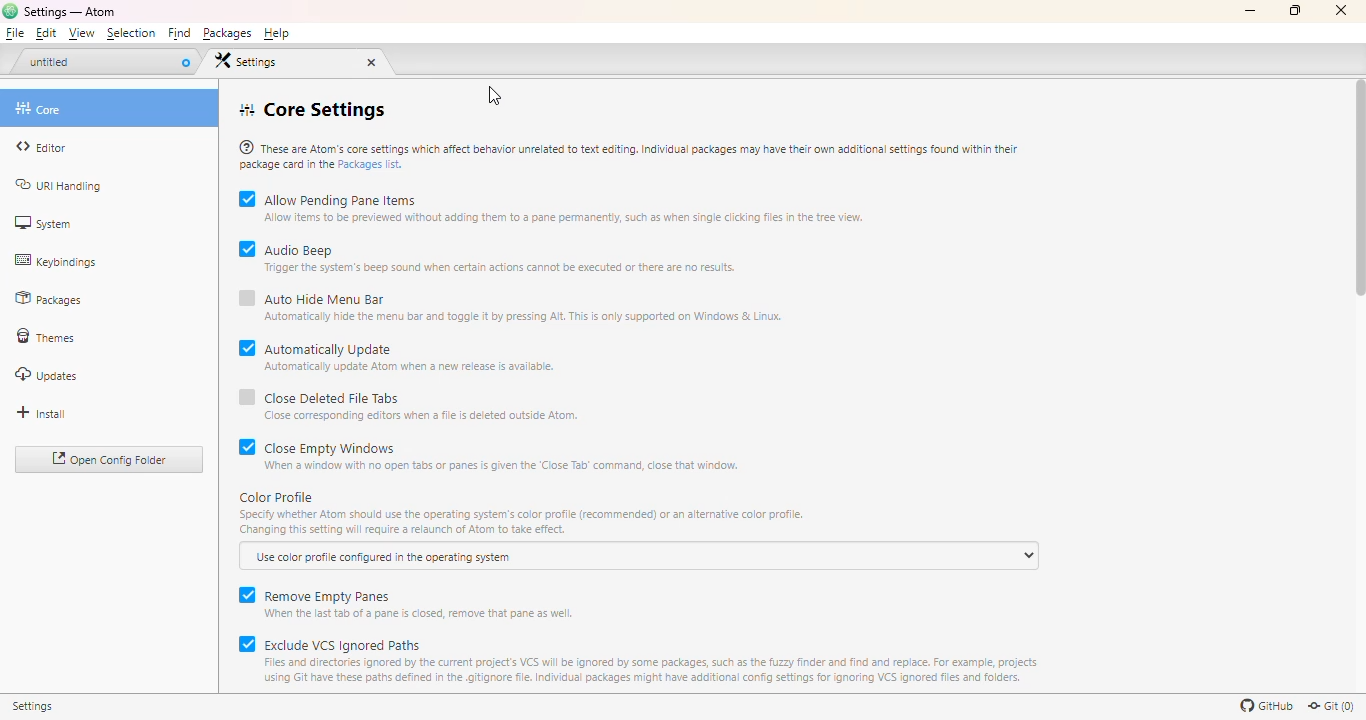 The image size is (1366, 720). Describe the element at coordinates (639, 555) in the screenshot. I see `use color profile configured in the operating system` at that location.